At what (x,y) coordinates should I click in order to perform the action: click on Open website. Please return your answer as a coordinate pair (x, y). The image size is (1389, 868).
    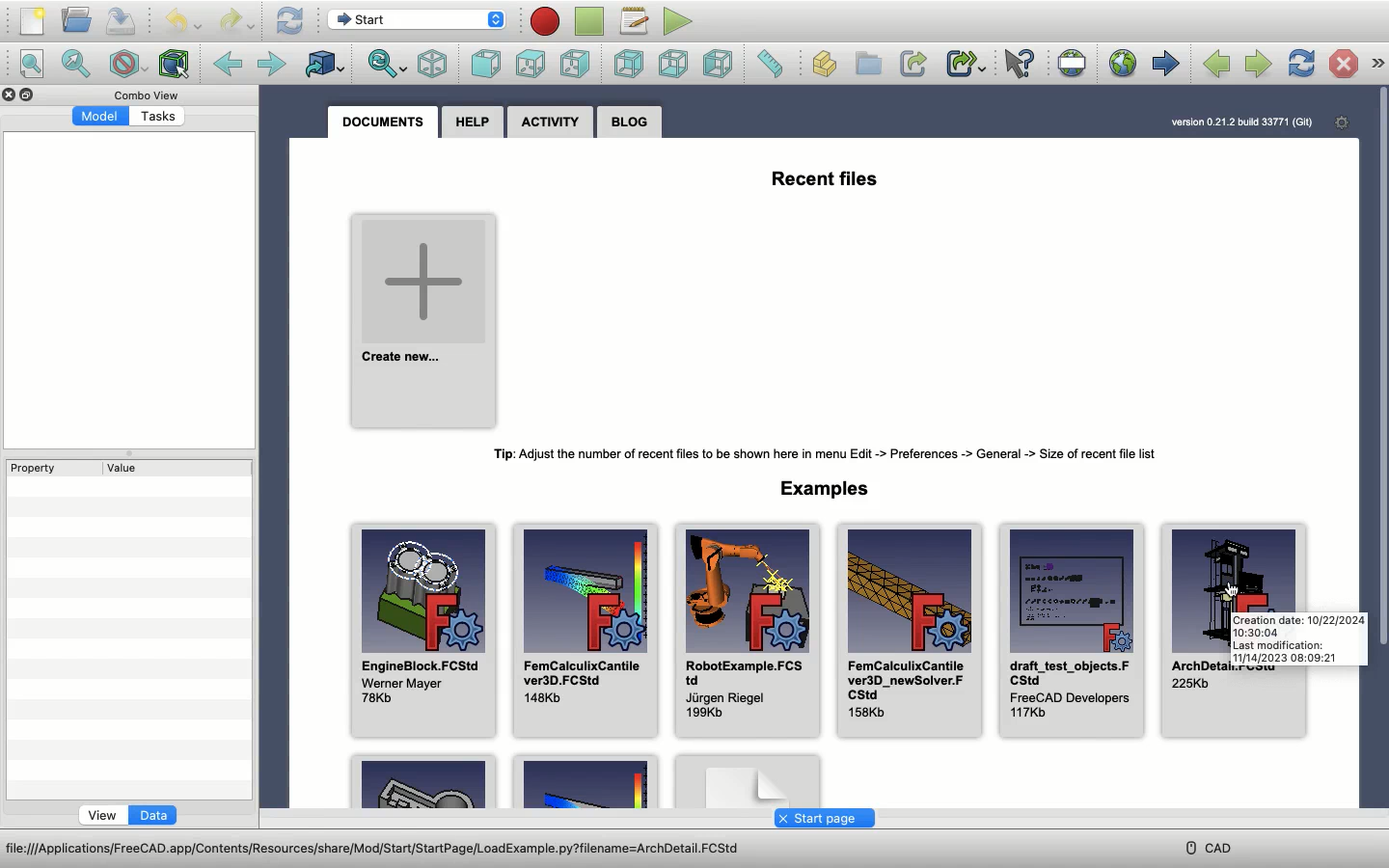
    Looking at the image, I should click on (1123, 64).